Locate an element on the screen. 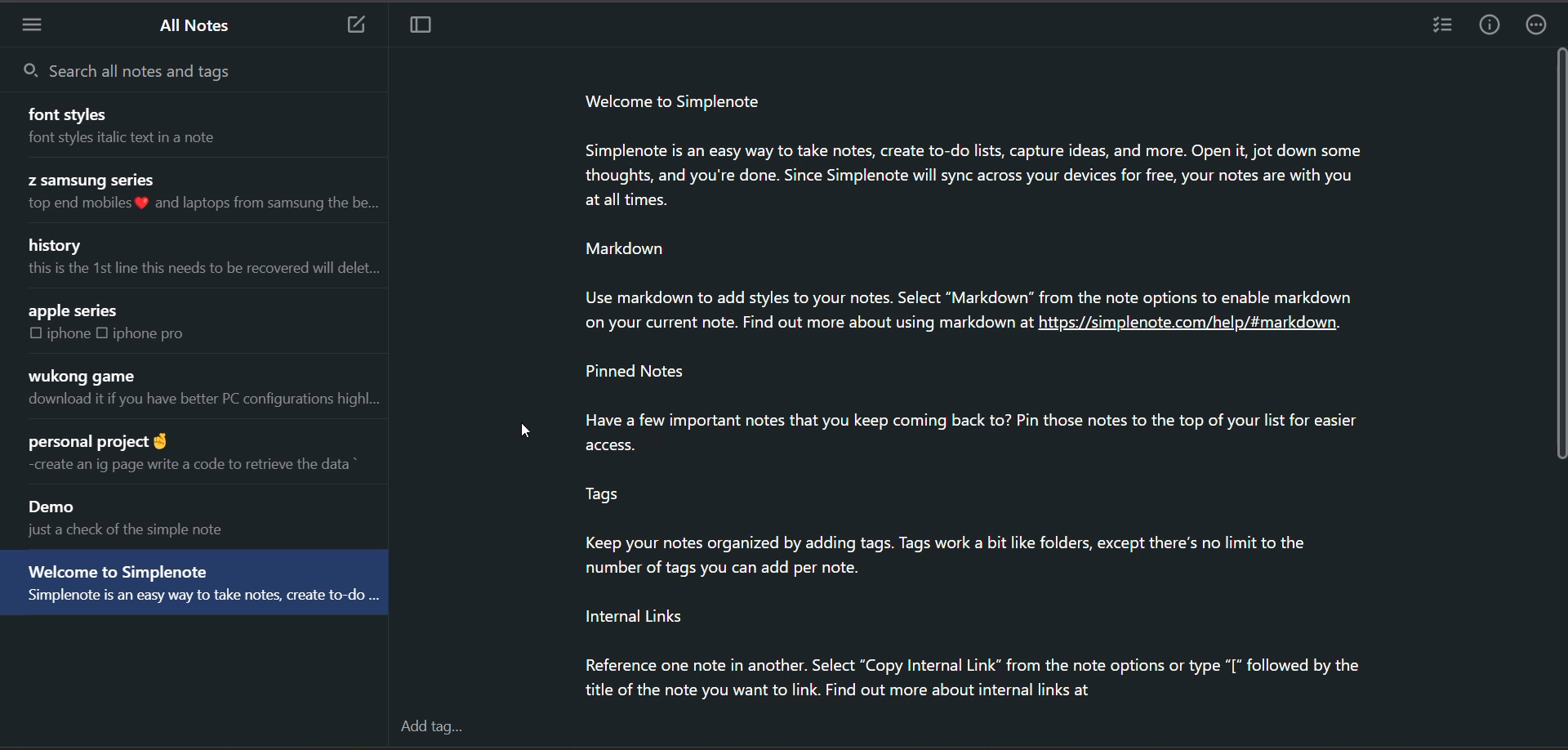 The width and height of the screenshot is (1568, 750). Reference one note in another. Select “Copy Internal Link” from the note options or type “[* followed by the
title of the note you want to link. Find out more about internal links at is located at coordinates (963, 681).